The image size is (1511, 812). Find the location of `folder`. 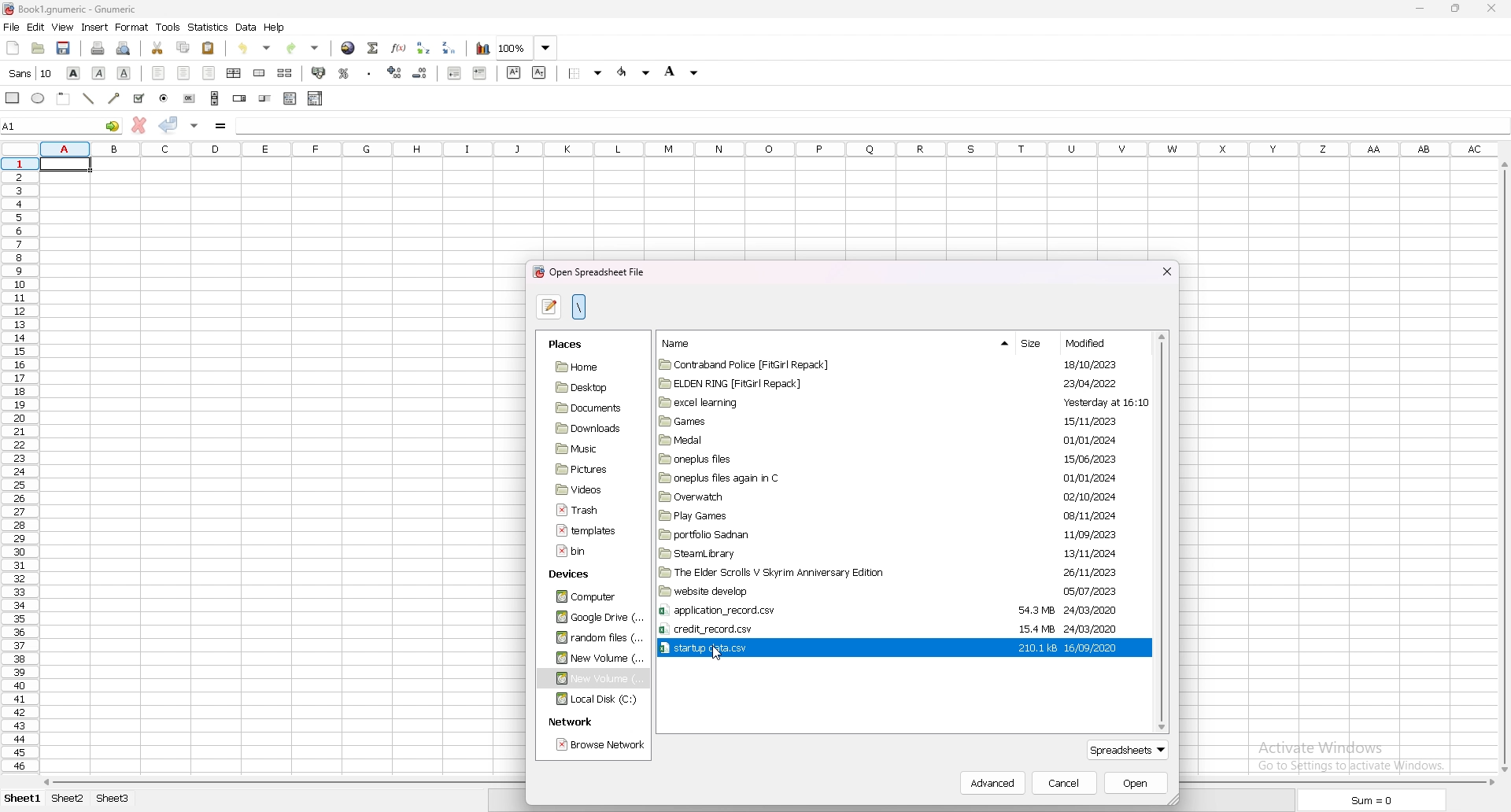

folder is located at coordinates (591, 638).